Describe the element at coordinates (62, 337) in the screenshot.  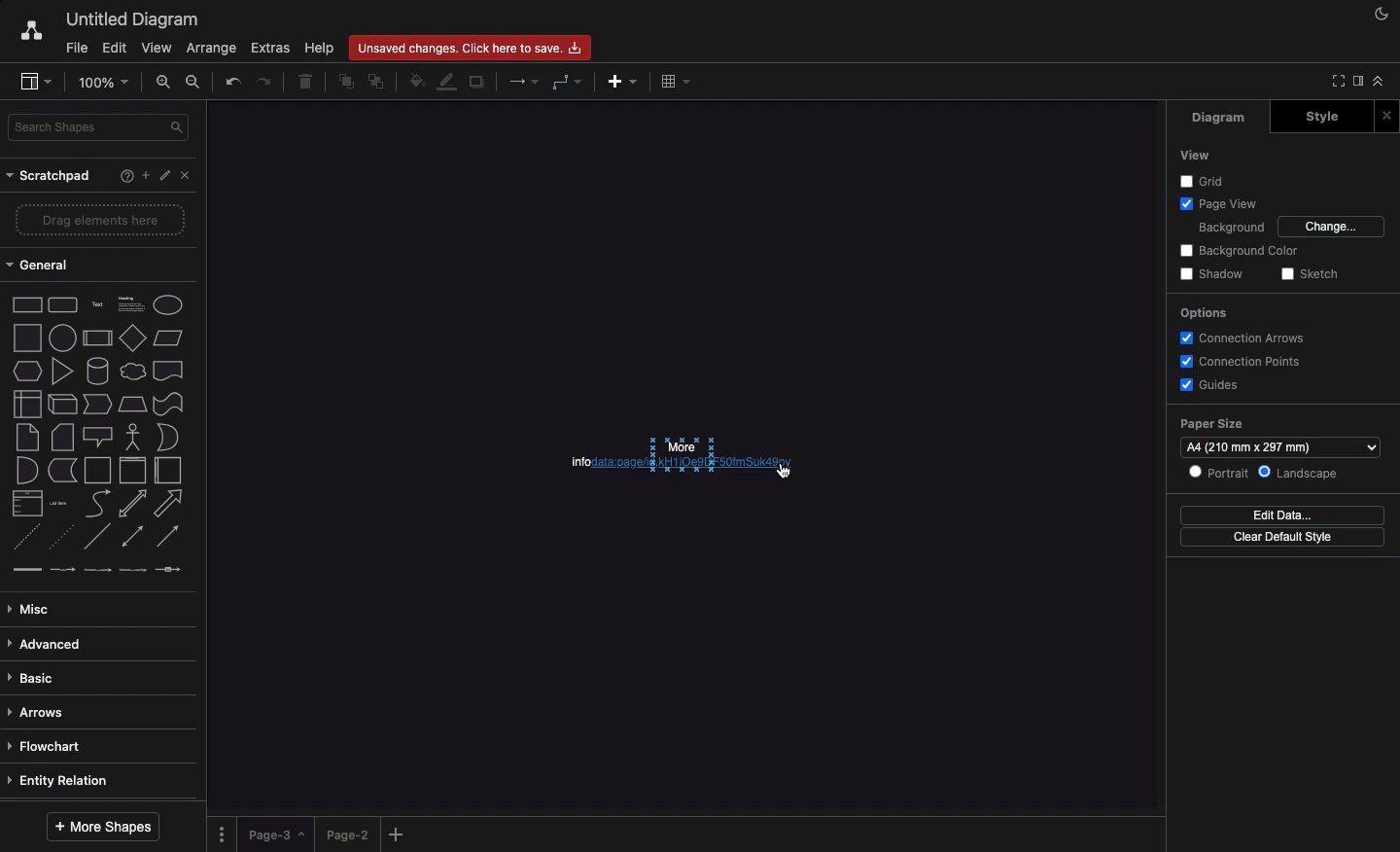
I see `circle` at that location.